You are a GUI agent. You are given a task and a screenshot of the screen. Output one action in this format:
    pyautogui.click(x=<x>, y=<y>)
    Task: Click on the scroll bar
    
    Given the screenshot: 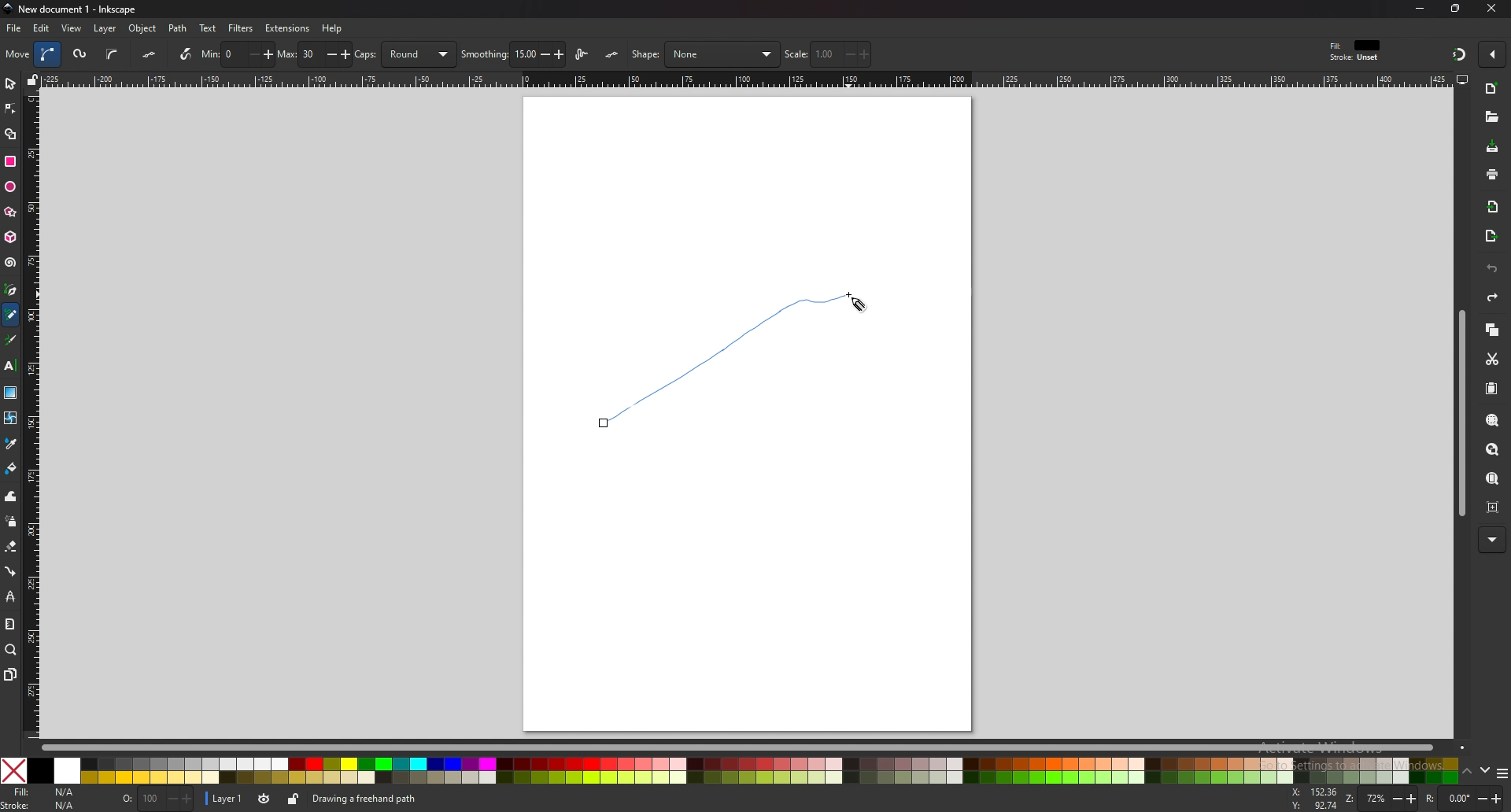 What is the action you would take?
    pyautogui.click(x=753, y=749)
    